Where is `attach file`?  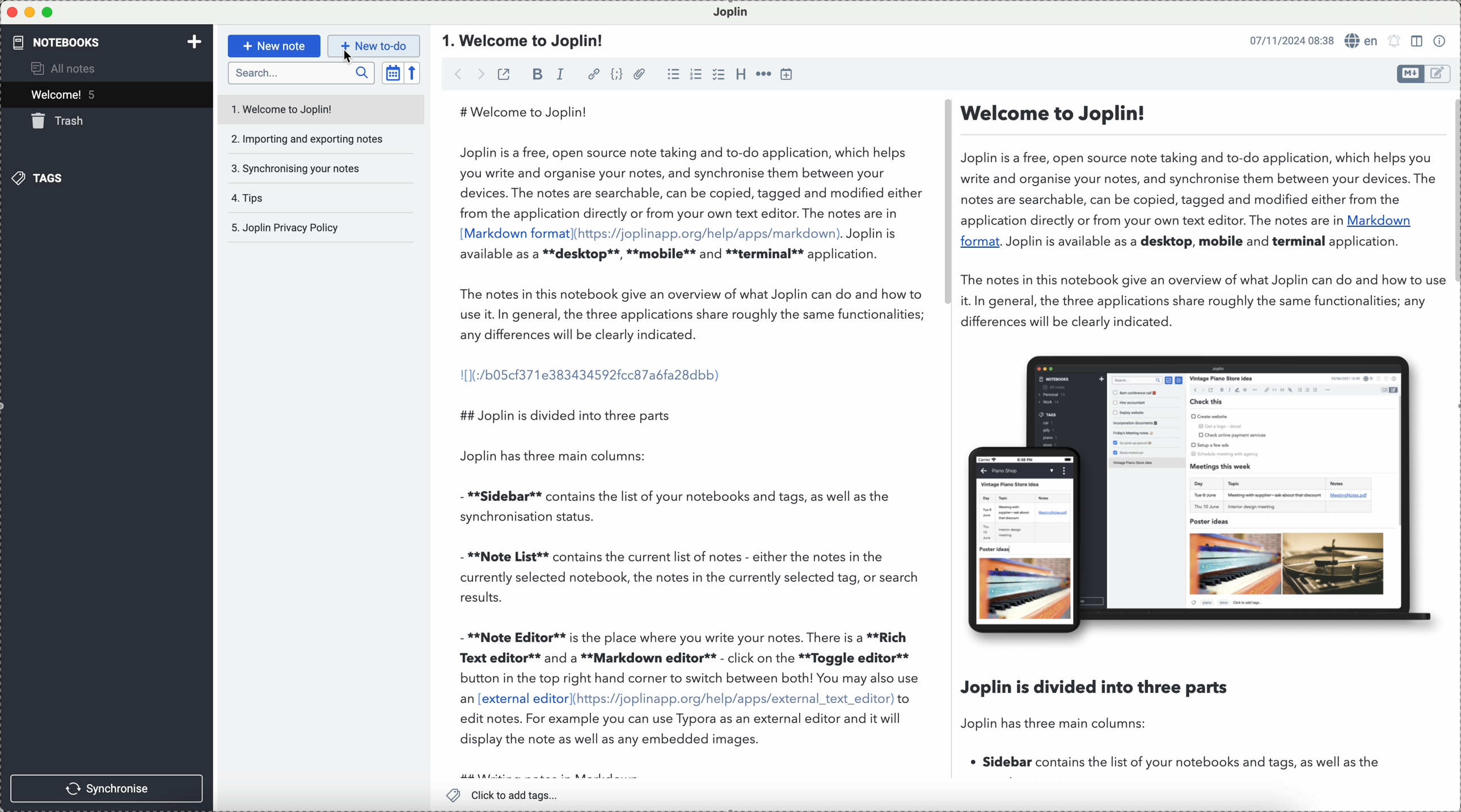 attach file is located at coordinates (640, 74).